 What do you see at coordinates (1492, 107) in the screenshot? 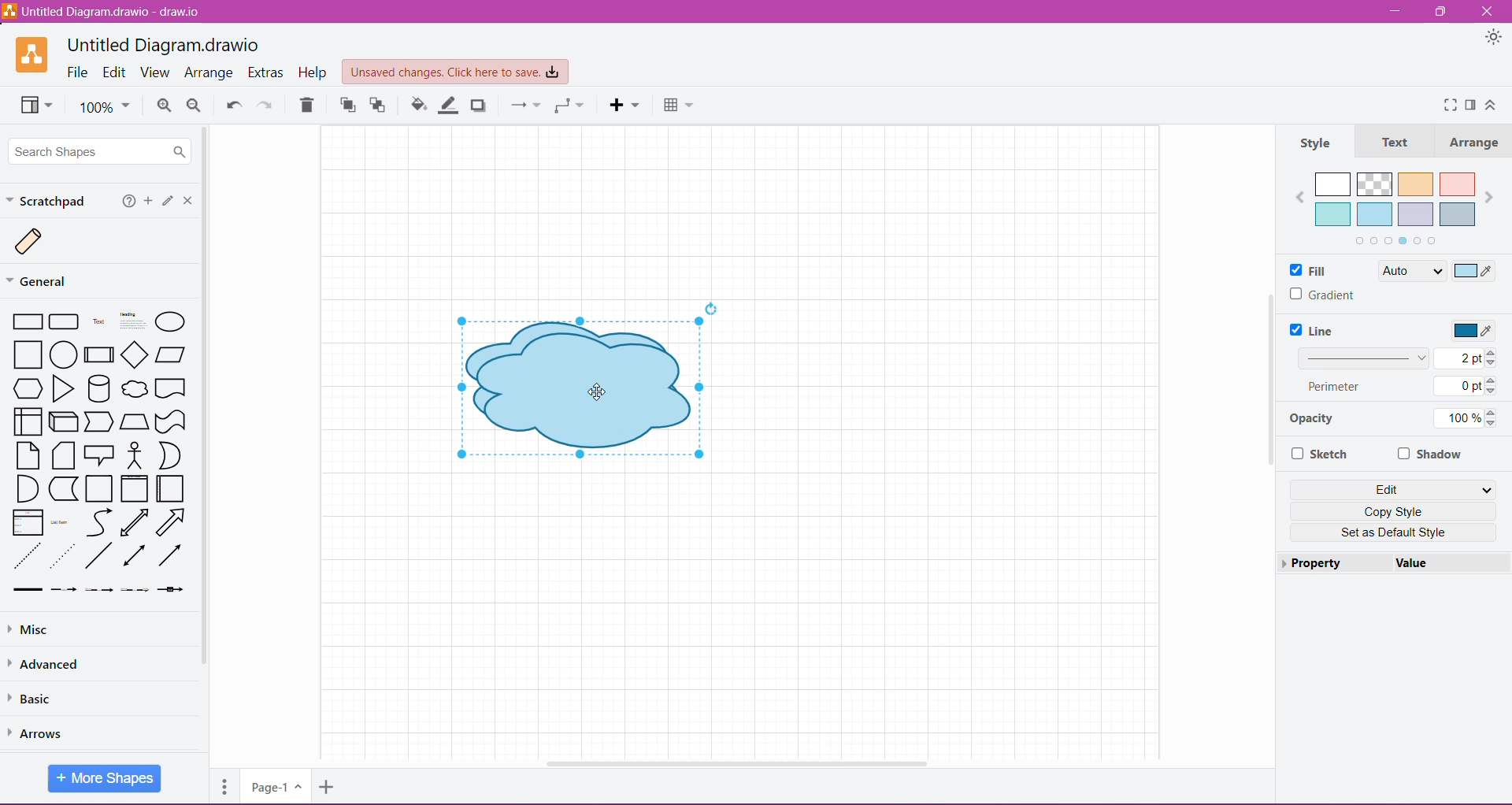
I see `Expand/Collapse` at bounding box center [1492, 107].